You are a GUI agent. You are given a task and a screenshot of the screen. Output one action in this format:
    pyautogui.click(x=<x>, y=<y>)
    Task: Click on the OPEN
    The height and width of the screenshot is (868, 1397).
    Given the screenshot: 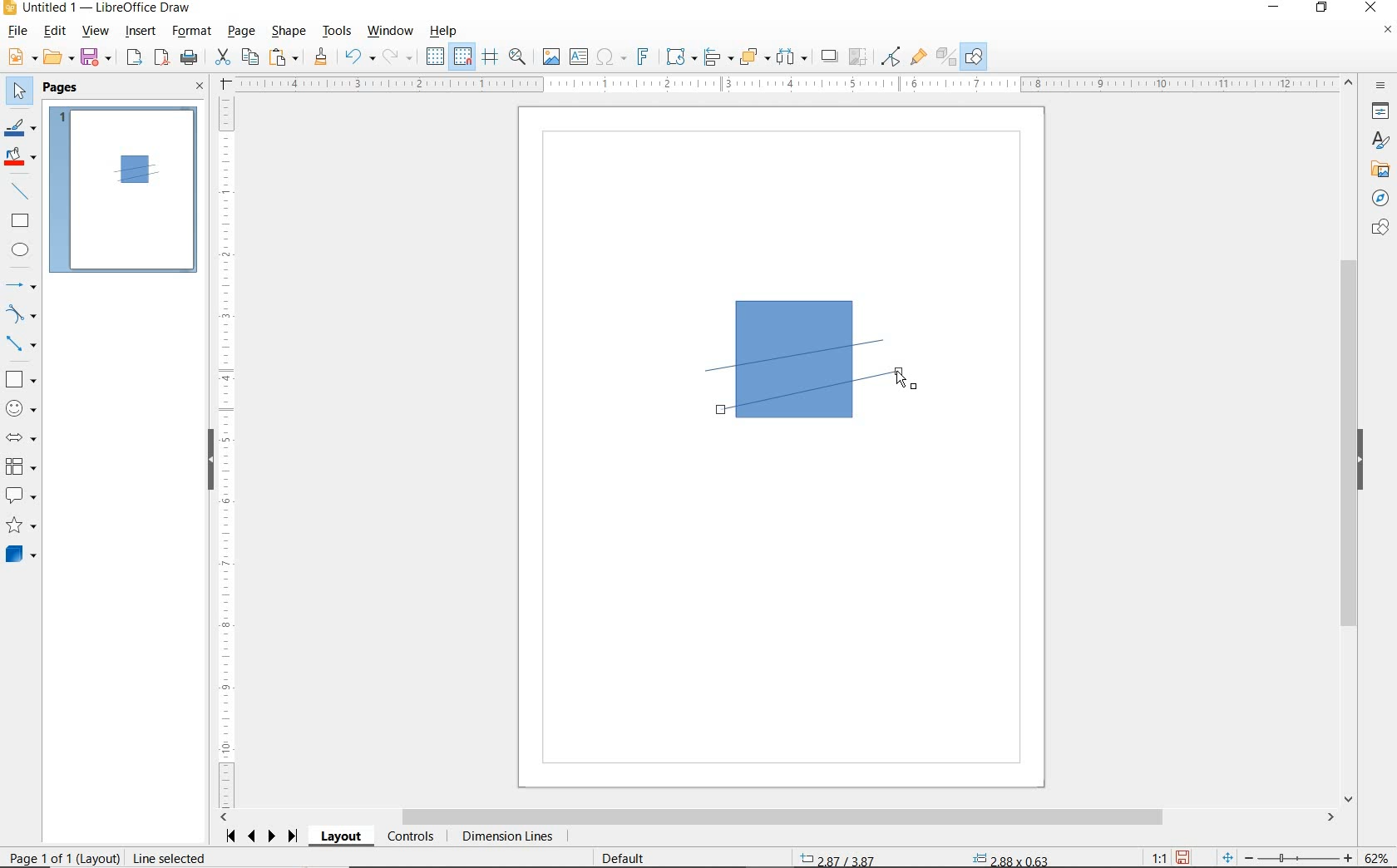 What is the action you would take?
    pyautogui.click(x=59, y=57)
    